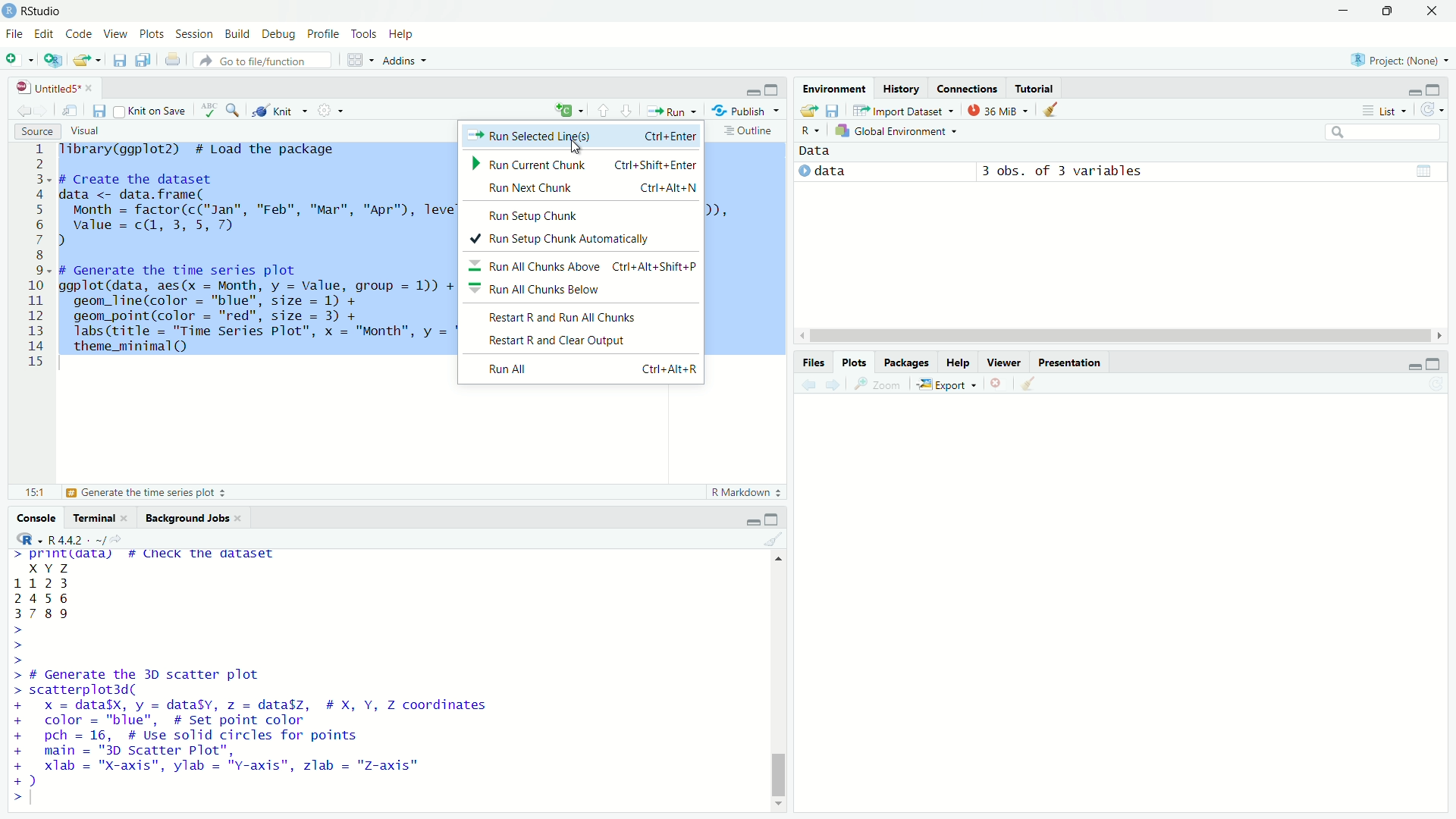 The width and height of the screenshot is (1456, 819). Describe the element at coordinates (40, 798) in the screenshot. I see `typing cursor` at that location.